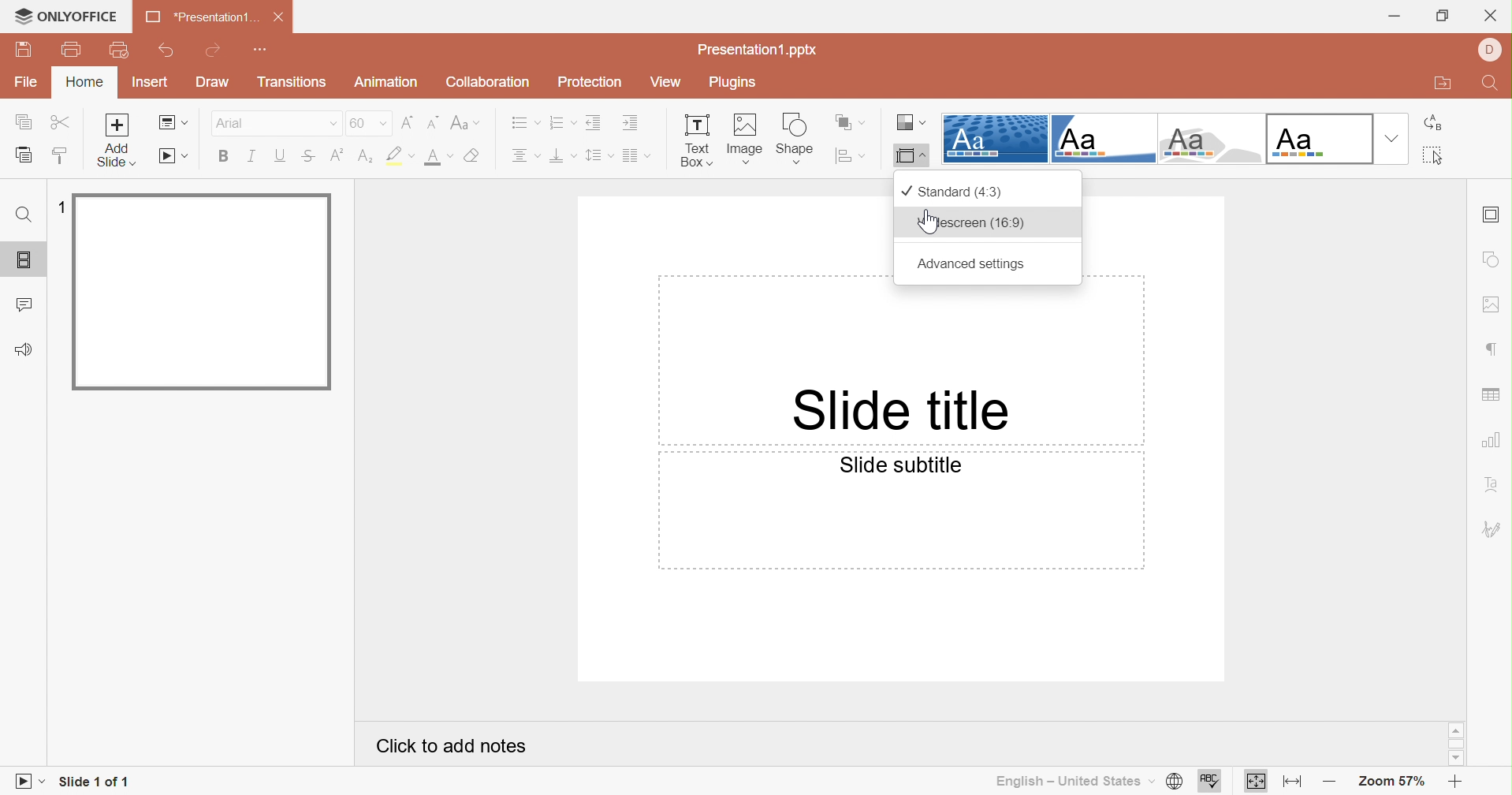  I want to click on Chart settings, so click(1494, 439).